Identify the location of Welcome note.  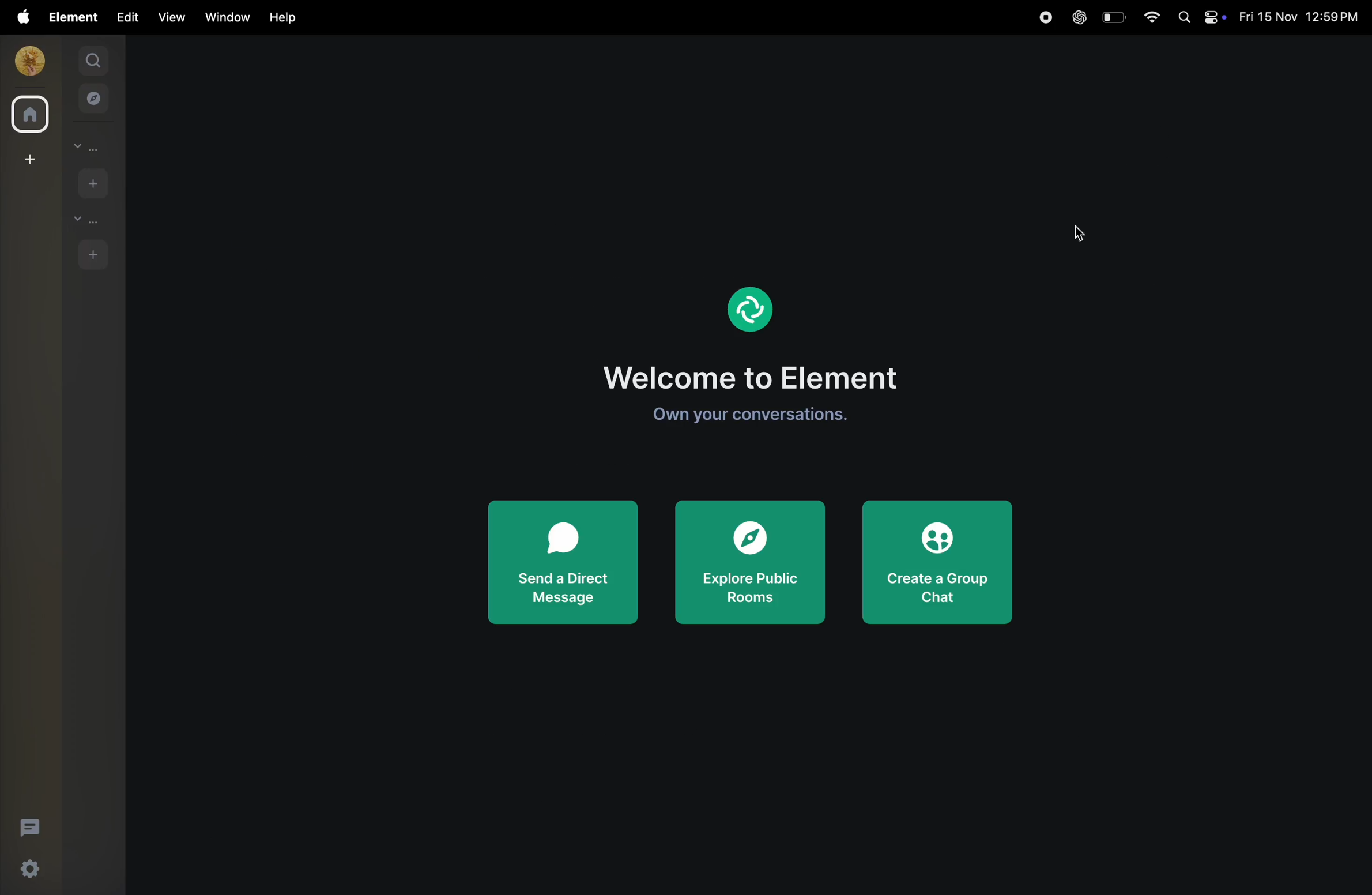
(759, 383).